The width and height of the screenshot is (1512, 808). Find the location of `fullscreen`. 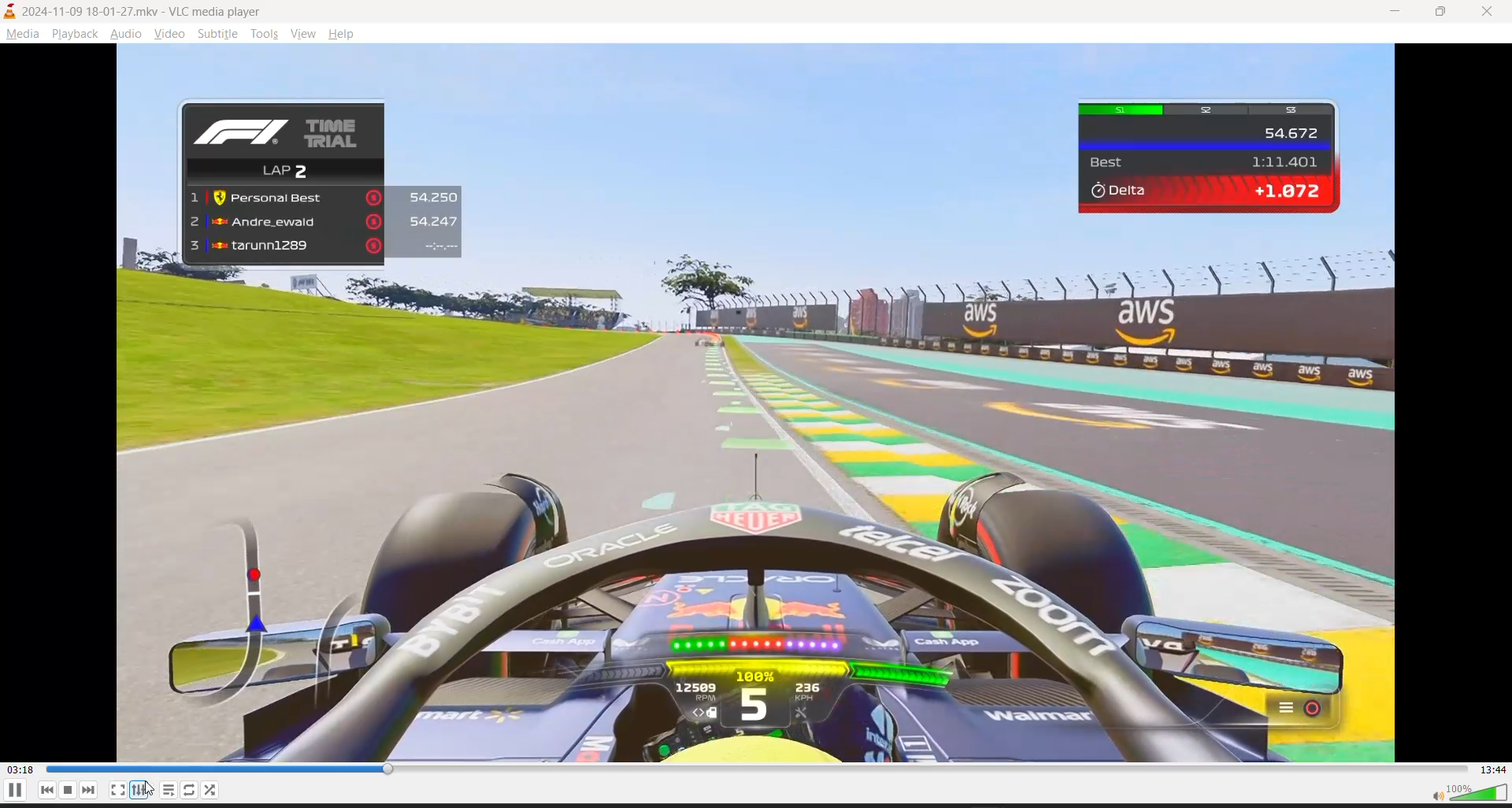

fullscreen is located at coordinates (117, 791).